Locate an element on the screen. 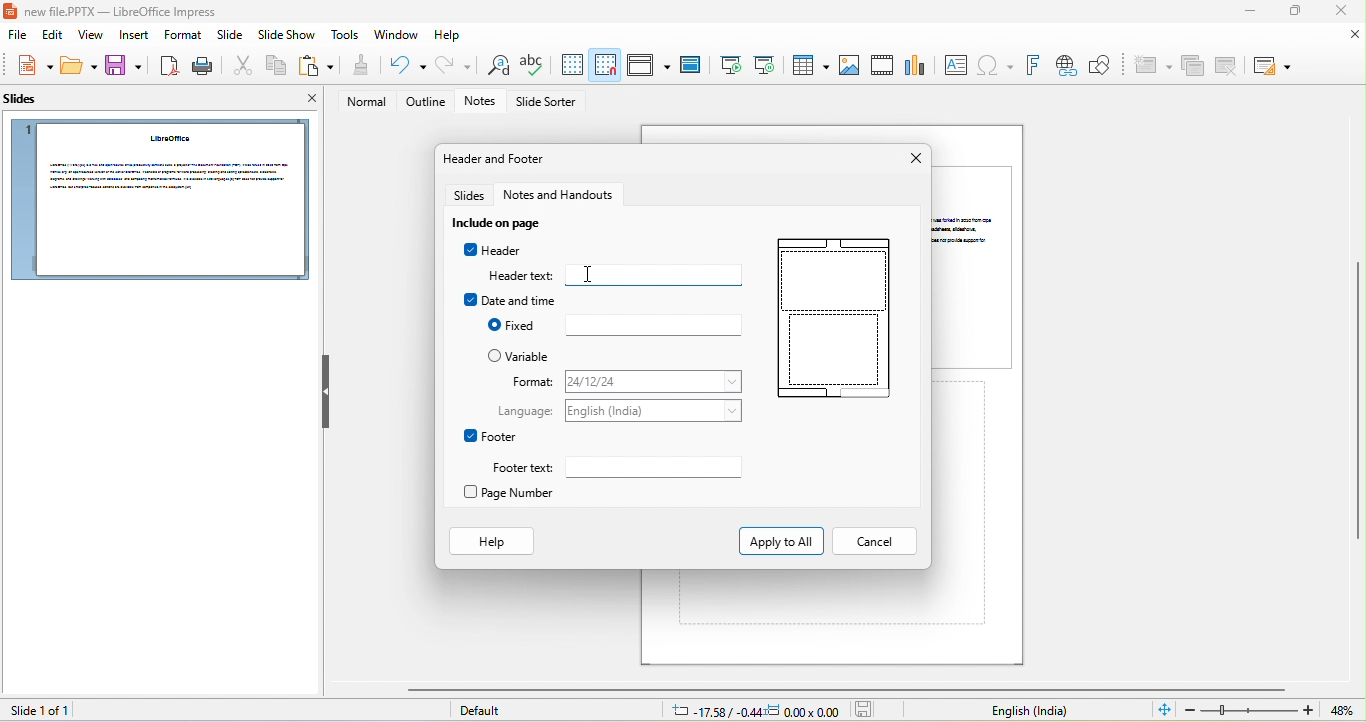  insert is located at coordinates (136, 36).